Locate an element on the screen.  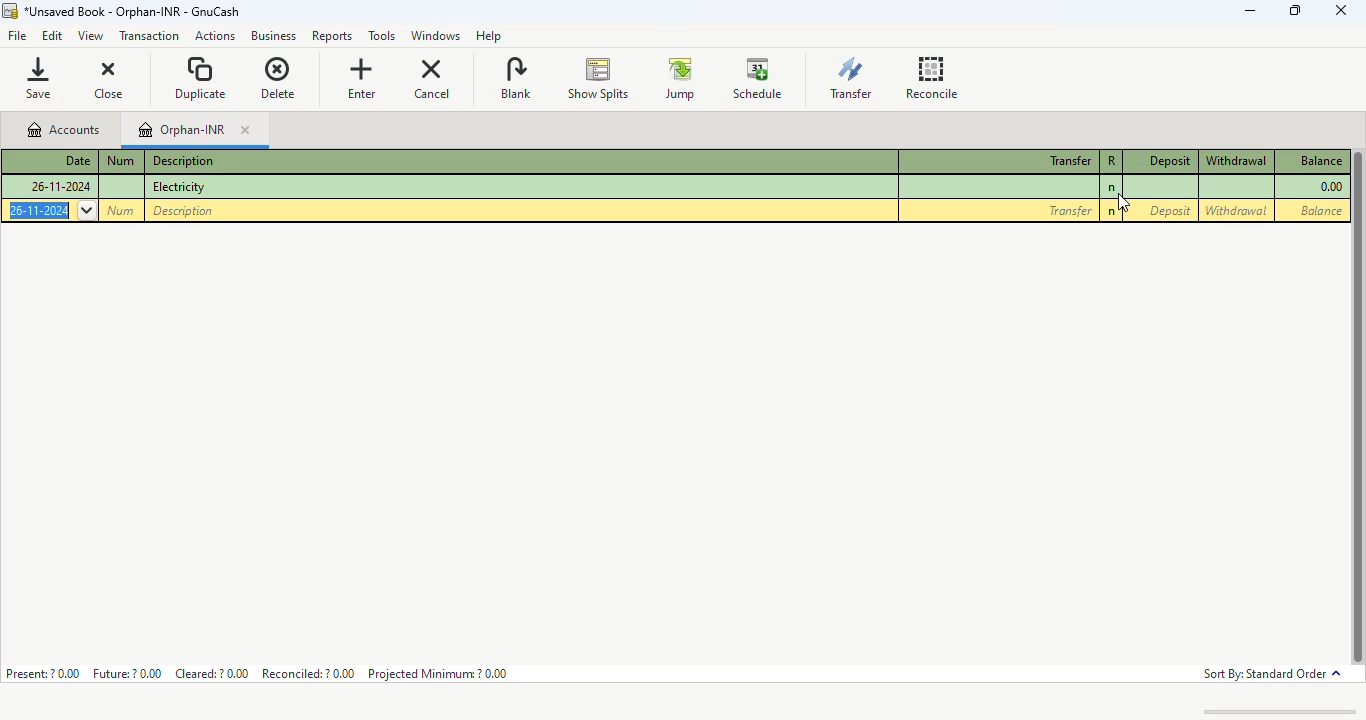
withdrawal is located at coordinates (1237, 161).